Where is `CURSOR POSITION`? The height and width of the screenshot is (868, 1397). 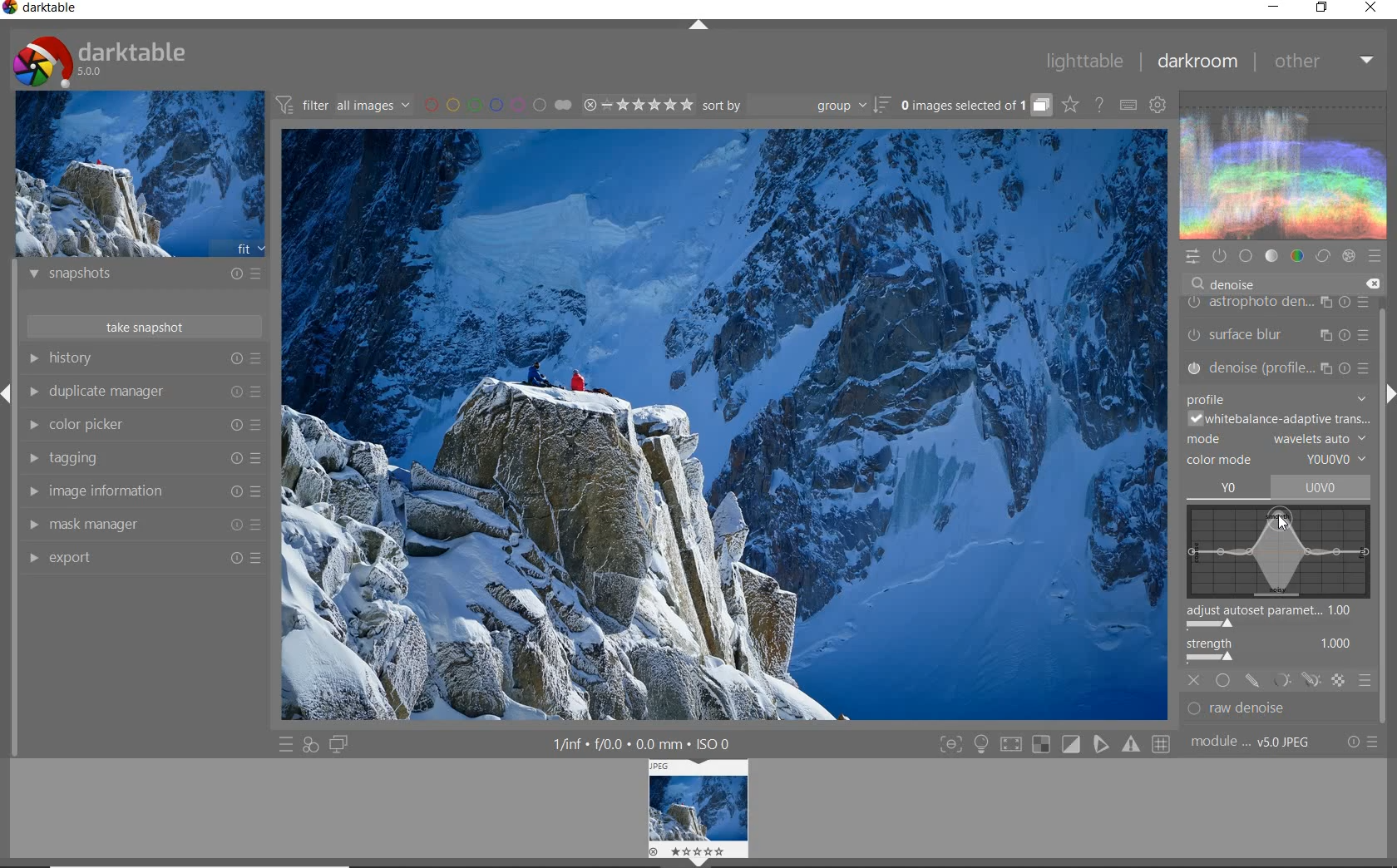
CURSOR POSITION is located at coordinates (1283, 522).